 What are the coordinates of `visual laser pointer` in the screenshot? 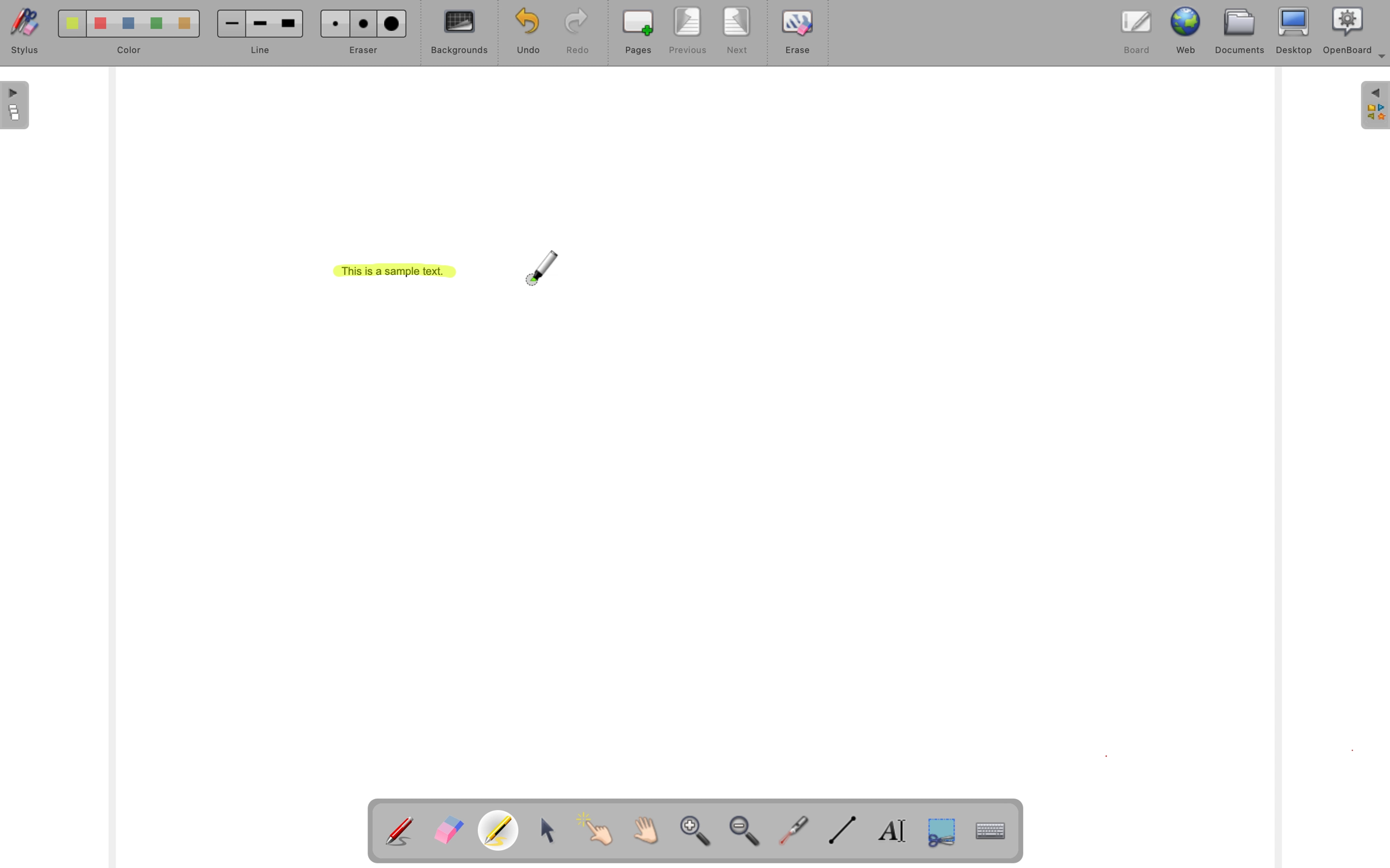 It's located at (796, 832).